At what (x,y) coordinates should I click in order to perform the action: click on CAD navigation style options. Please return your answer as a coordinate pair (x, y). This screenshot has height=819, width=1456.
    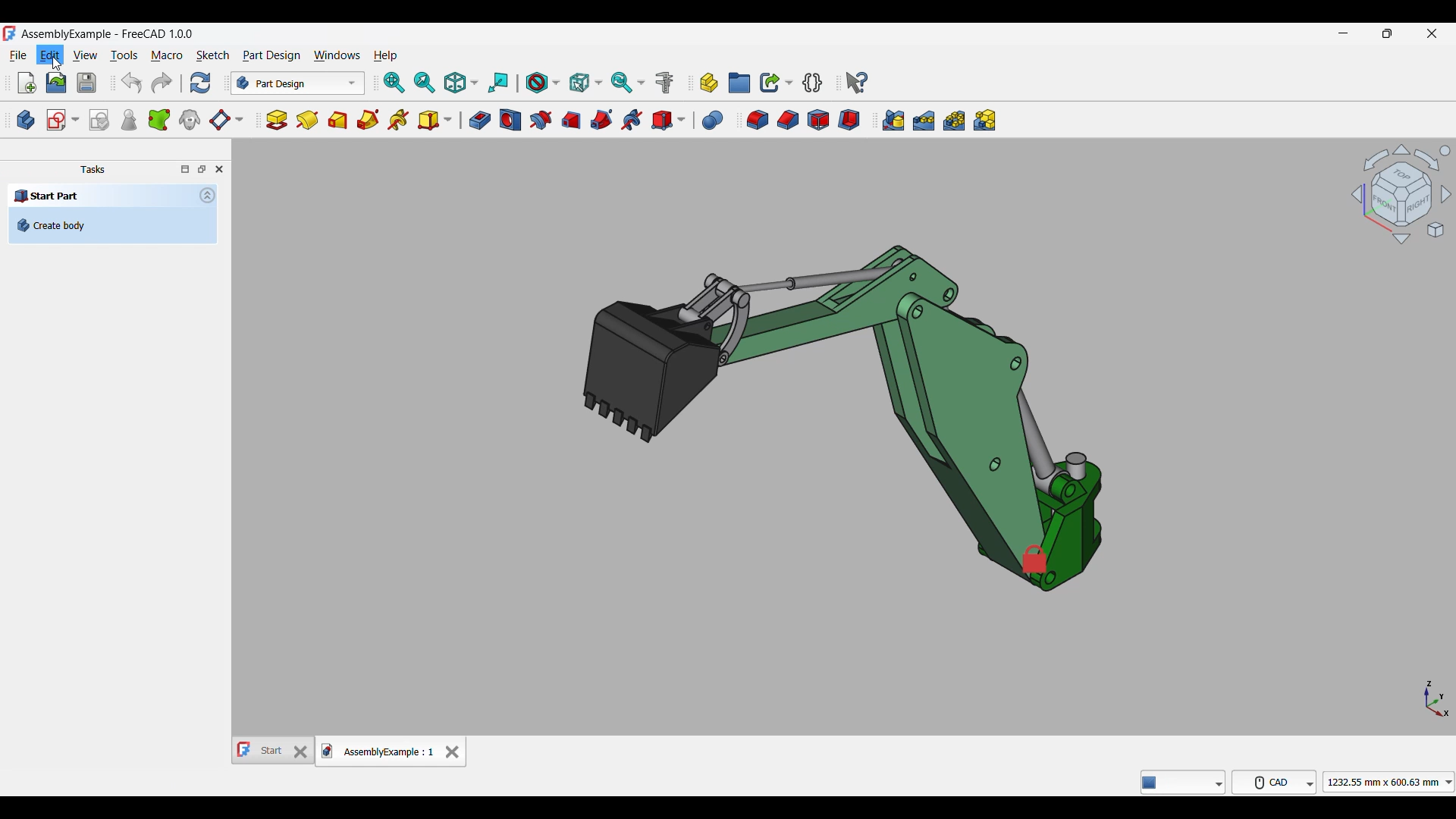
    Looking at the image, I should click on (1274, 782).